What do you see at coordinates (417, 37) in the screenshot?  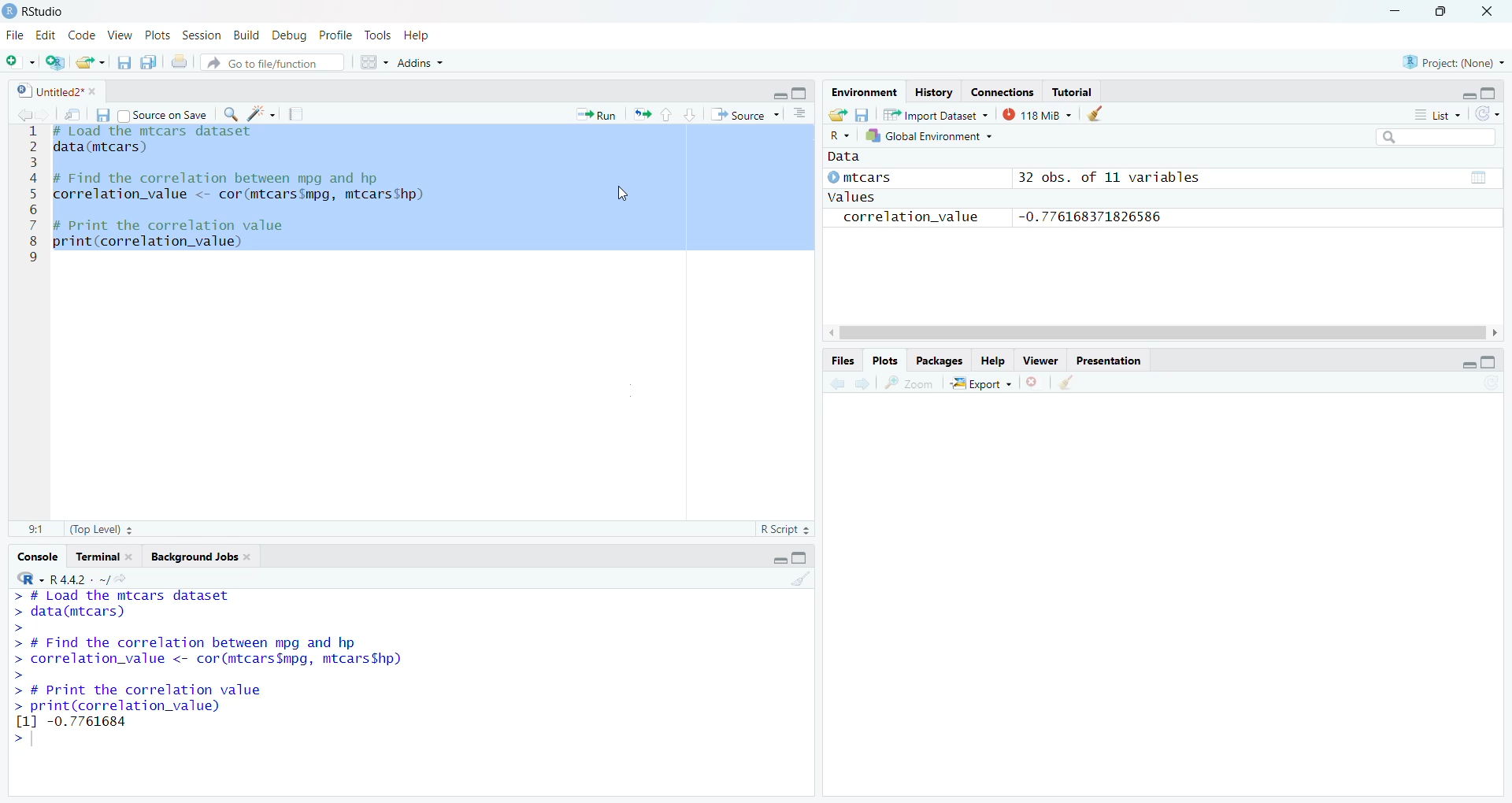 I see `Help` at bounding box center [417, 37].